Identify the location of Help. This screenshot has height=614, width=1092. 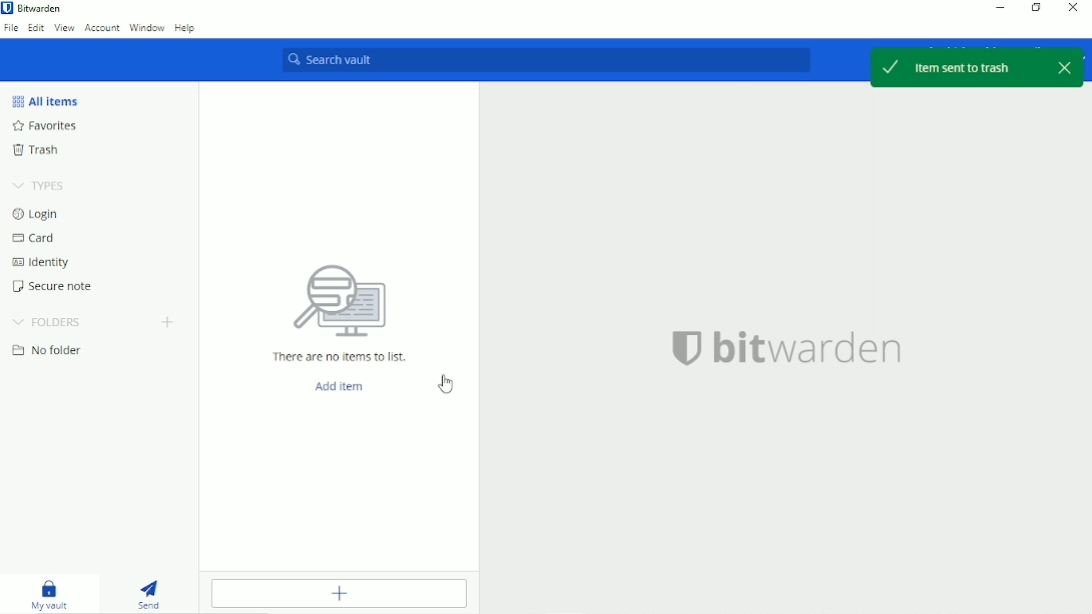
(184, 29).